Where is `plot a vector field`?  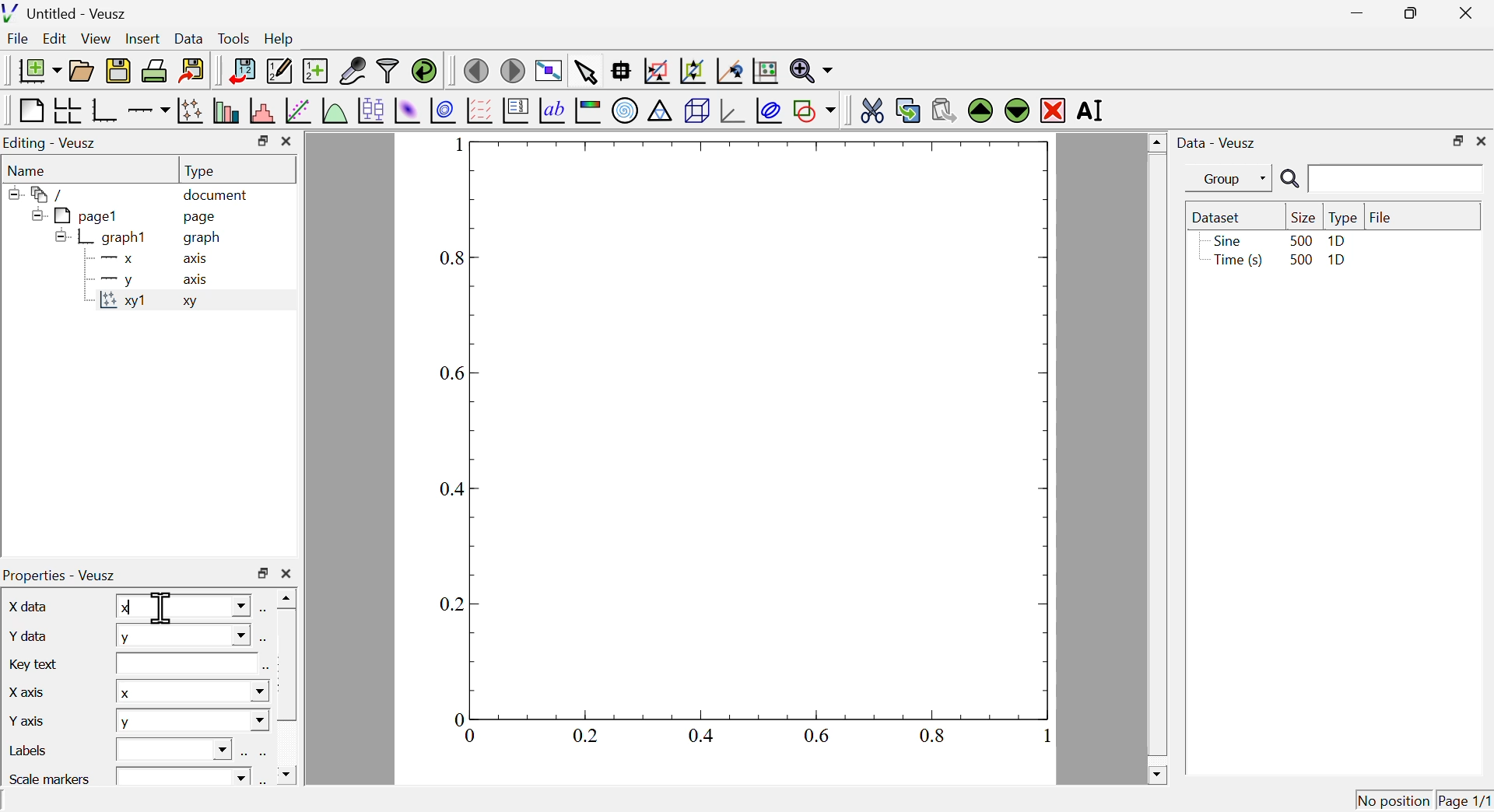
plot a vector field is located at coordinates (479, 110).